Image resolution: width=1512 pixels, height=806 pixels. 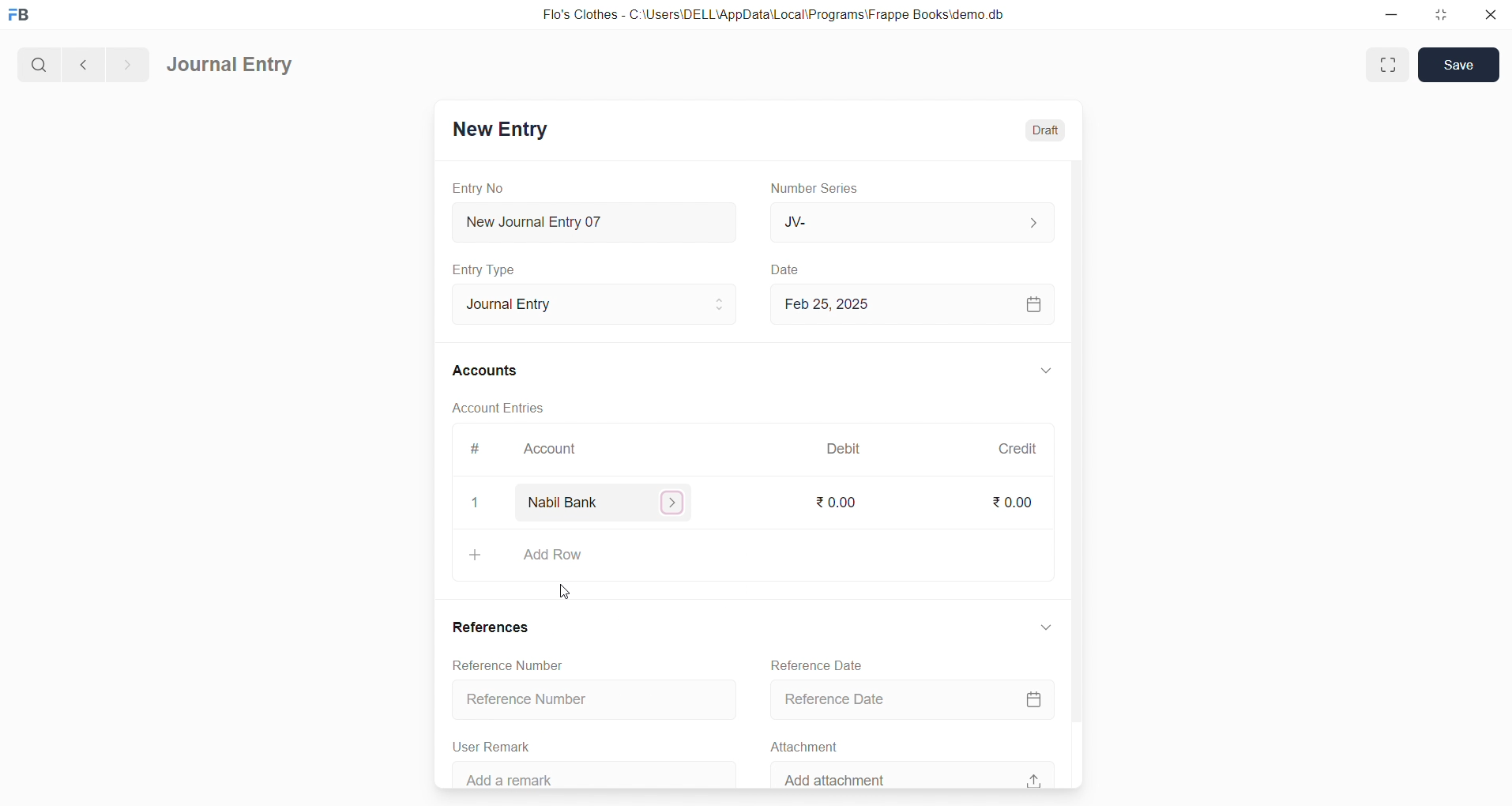 I want to click on Reference Number, so click(x=588, y=701).